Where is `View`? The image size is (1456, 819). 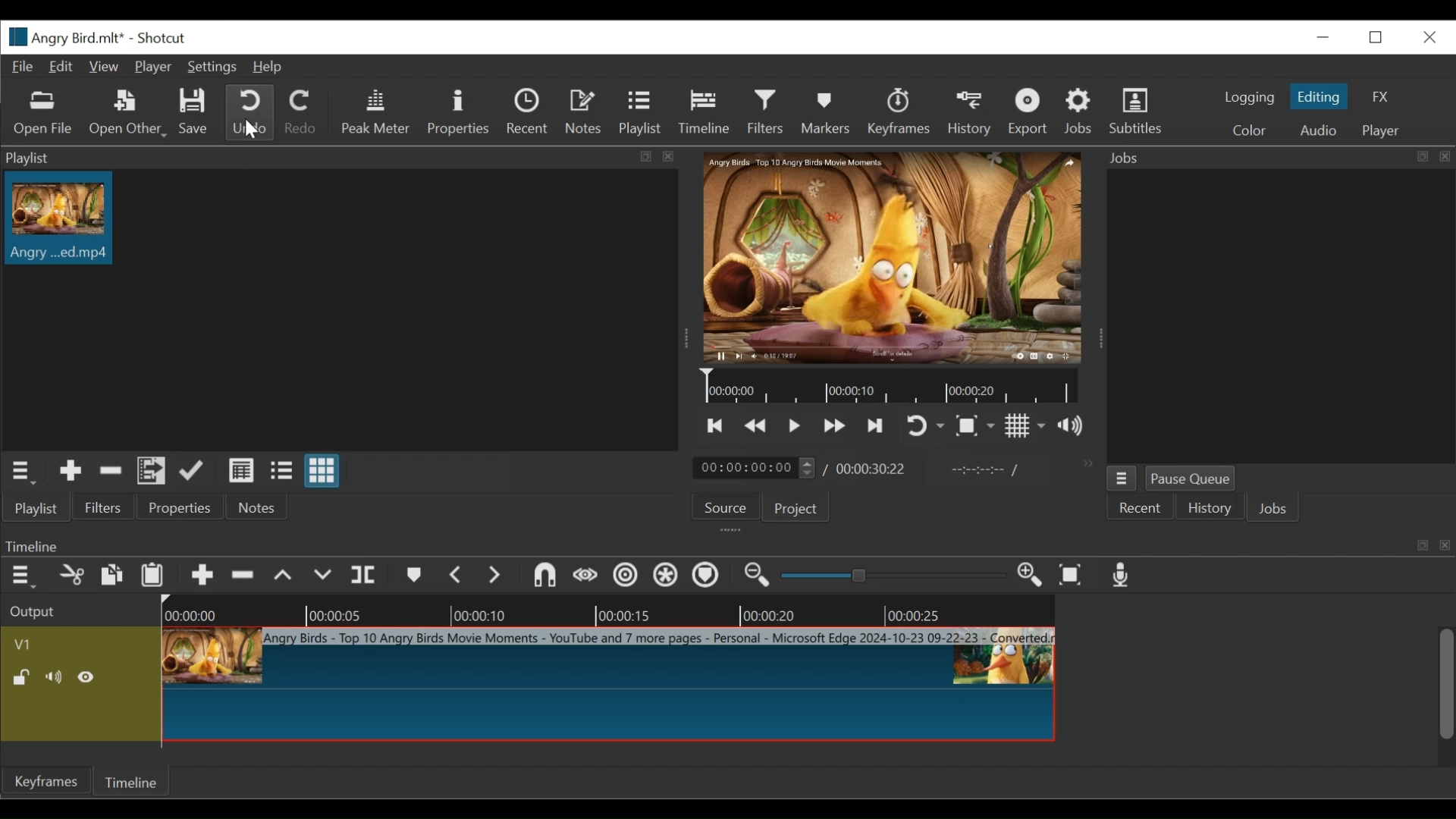 View is located at coordinates (103, 67).